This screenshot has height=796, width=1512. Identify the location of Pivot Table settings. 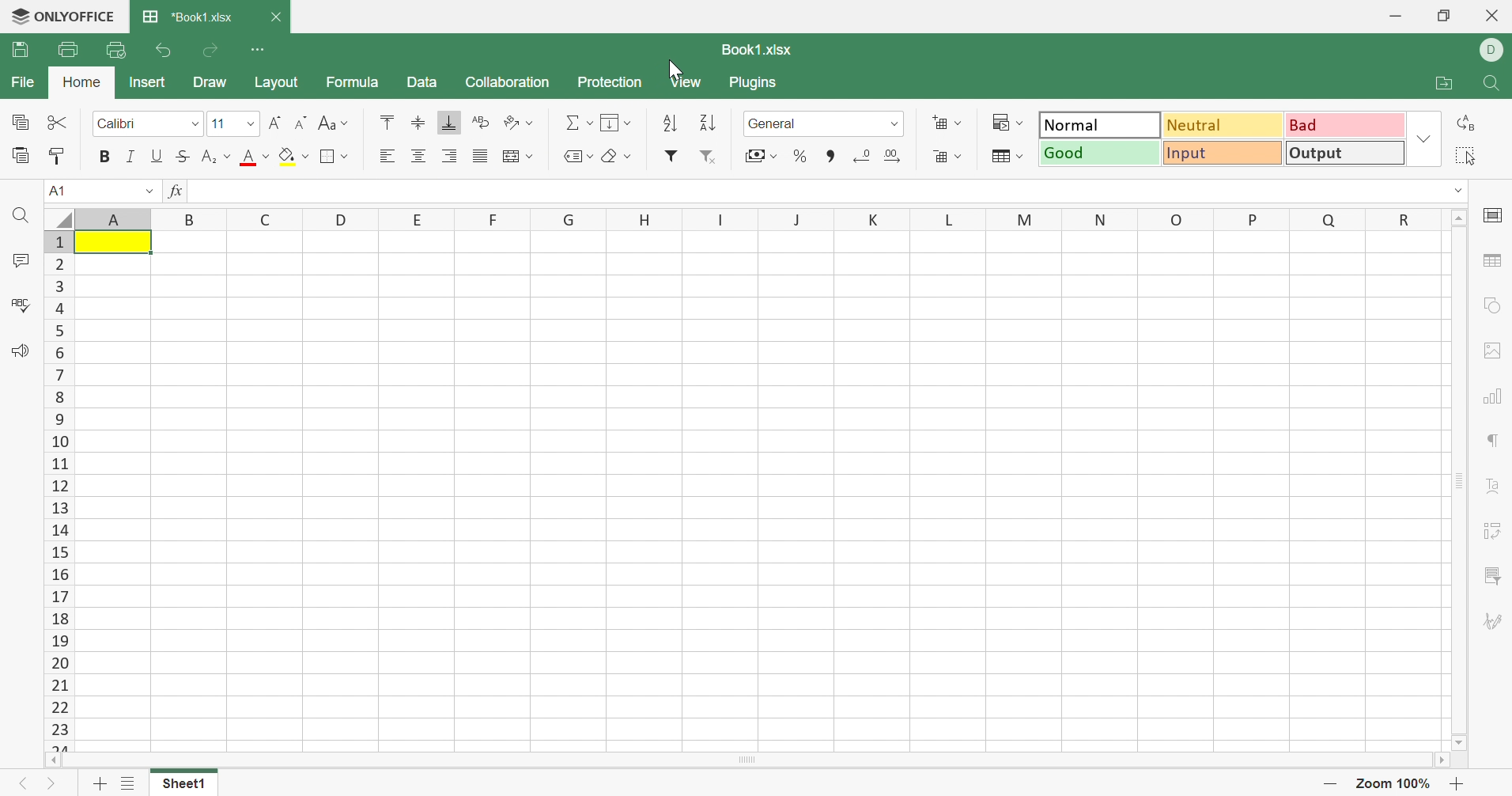
(1495, 533).